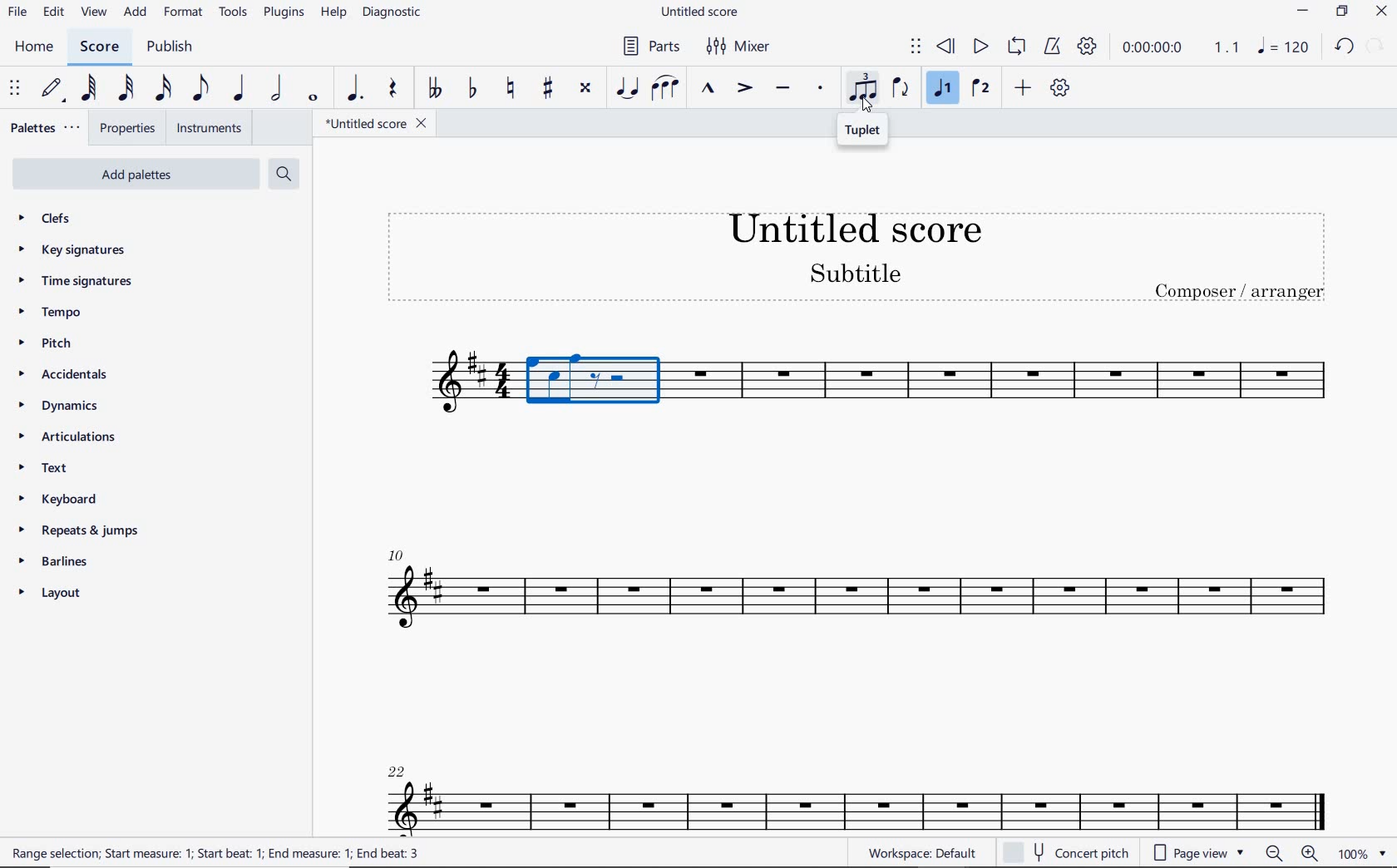 The height and width of the screenshot is (868, 1397). Describe the element at coordinates (72, 470) in the screenshot. I see `TEXT` at that location.